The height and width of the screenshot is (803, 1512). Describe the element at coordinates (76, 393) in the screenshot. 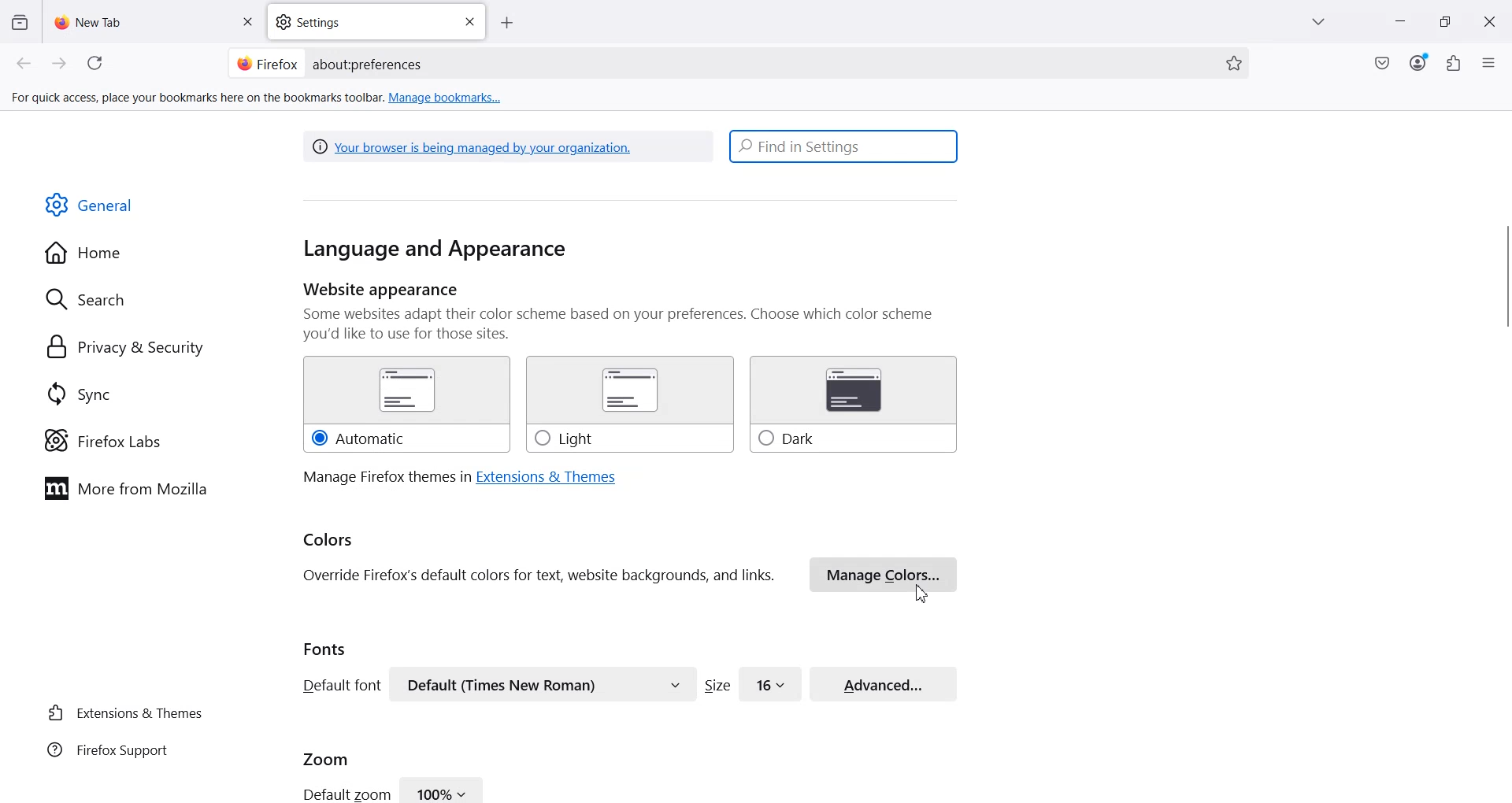

I see `[W] Sync` at that location.